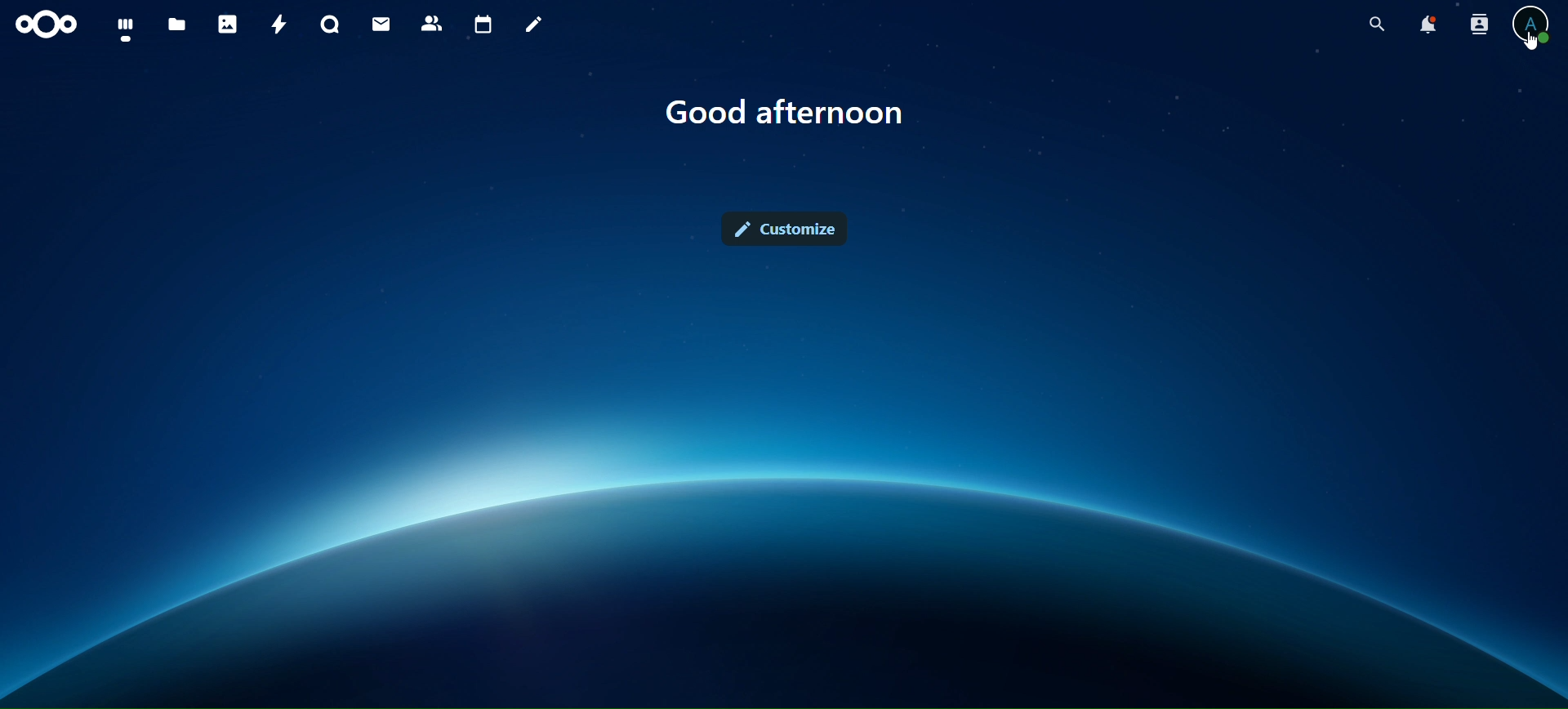  I want to click on calendar, so click(481, 24).